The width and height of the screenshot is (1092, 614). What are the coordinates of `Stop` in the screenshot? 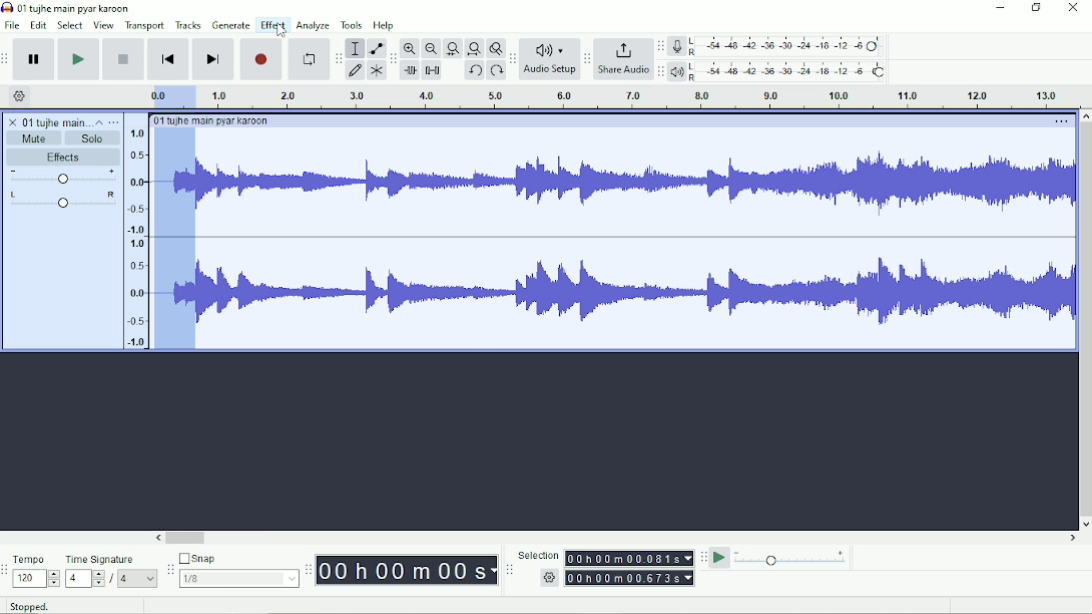 It's located at (125, 58).